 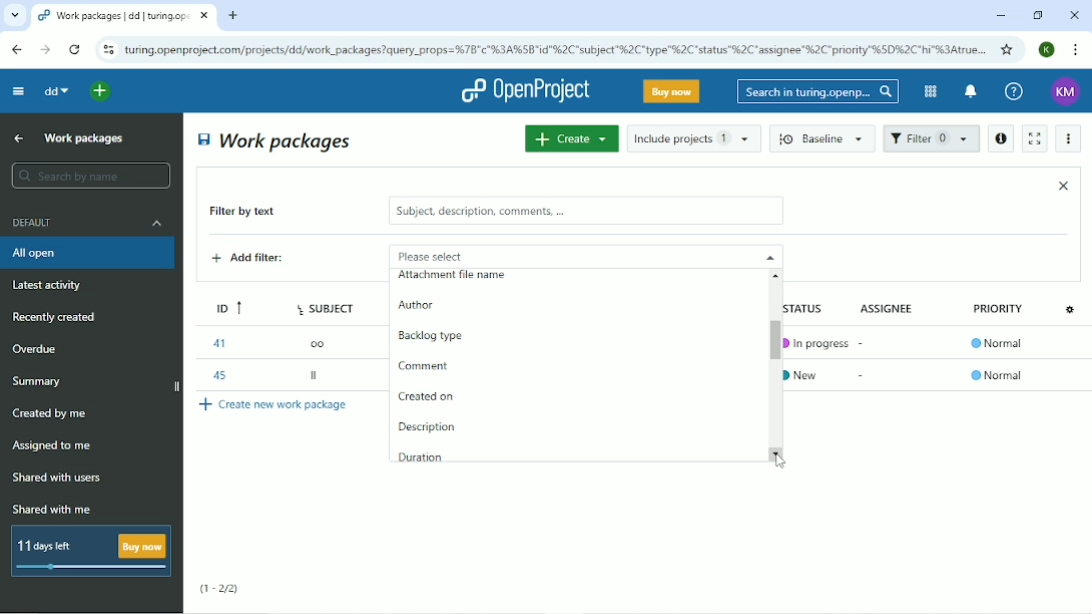 What do you see at coordinates (233, 16) in the screenshot?
I see `New tab` at bounding box center [233, 16].